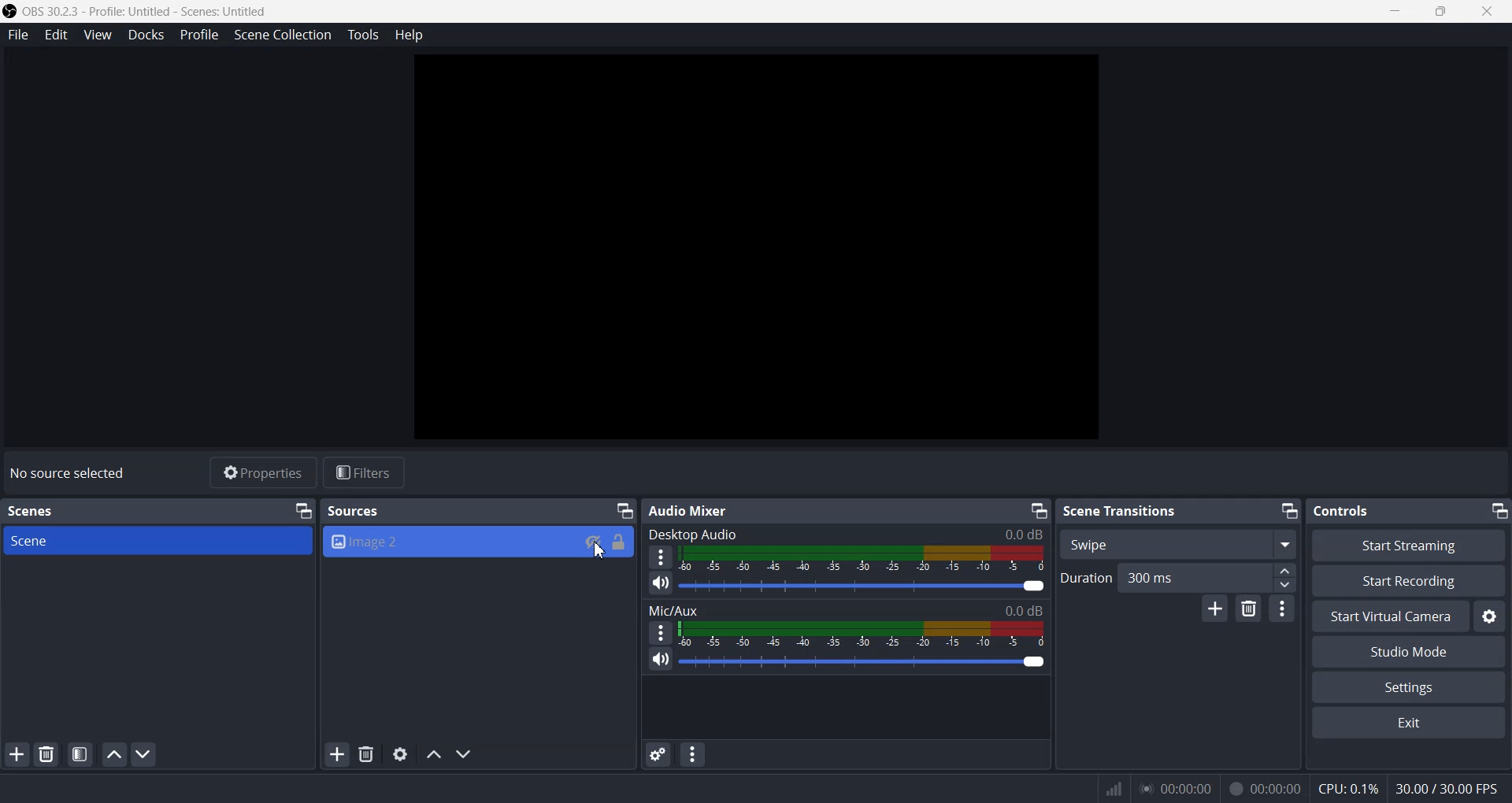  I want to click on Open source properties, so click(401, 754).